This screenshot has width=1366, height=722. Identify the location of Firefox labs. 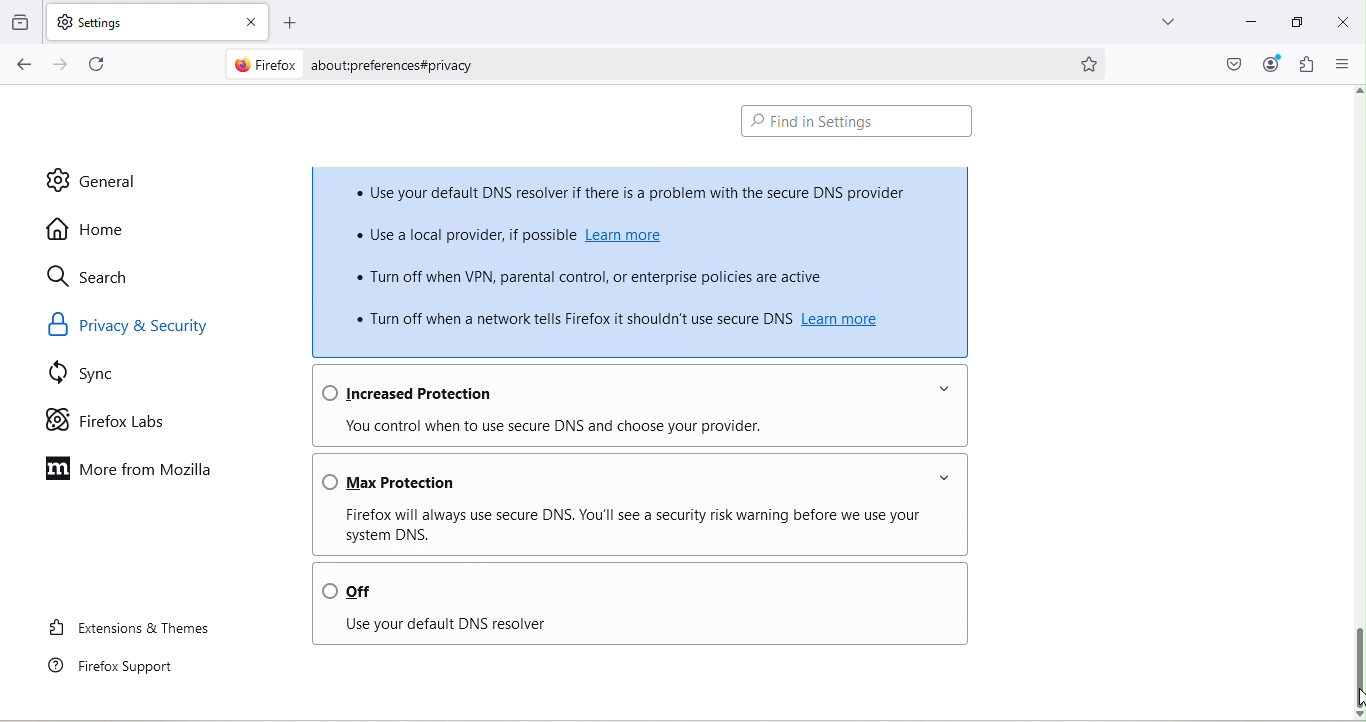
(107, 420).